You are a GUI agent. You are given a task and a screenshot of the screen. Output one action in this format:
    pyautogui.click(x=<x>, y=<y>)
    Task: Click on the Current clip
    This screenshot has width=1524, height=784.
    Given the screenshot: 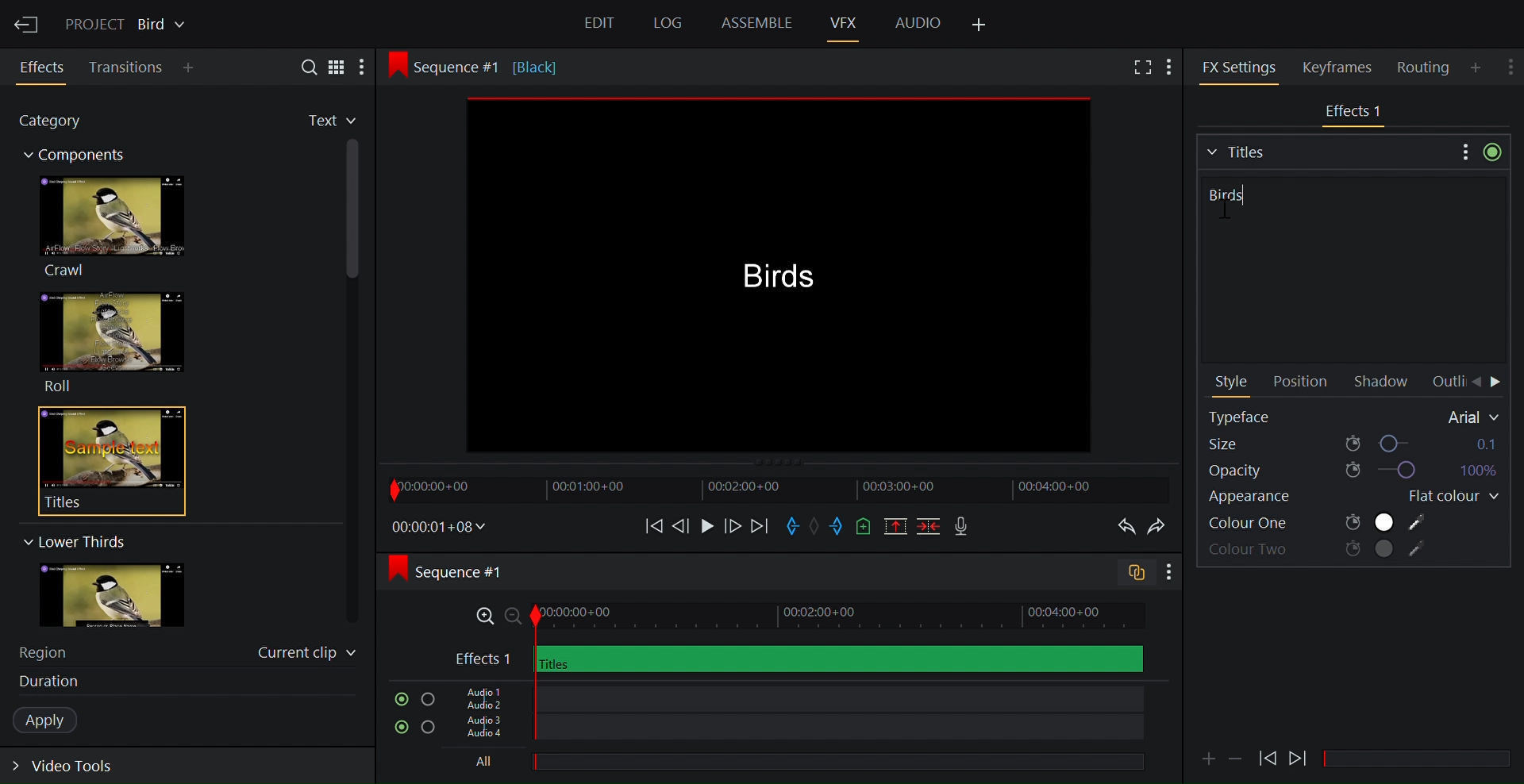 What is the action you would take?
    pyautogui.click(x=307, y=655)
    